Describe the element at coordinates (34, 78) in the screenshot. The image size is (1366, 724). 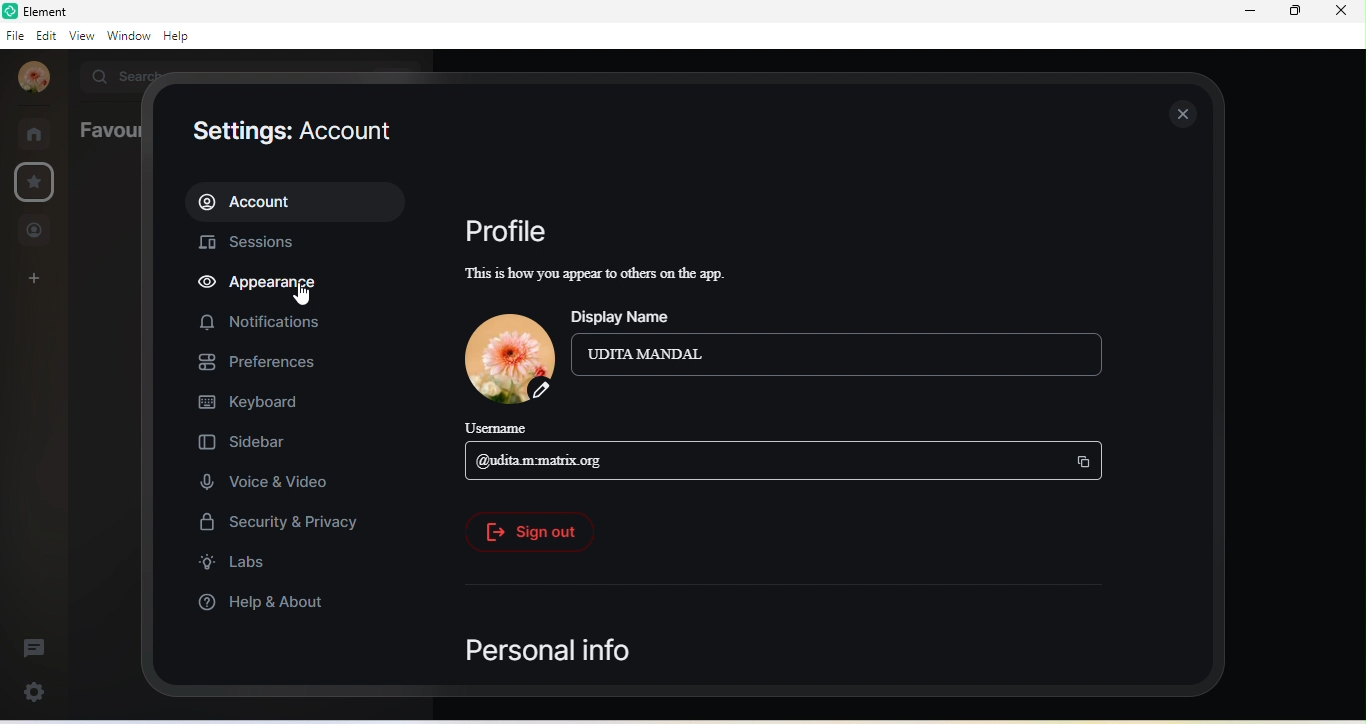
I see `profile photo` at that location.